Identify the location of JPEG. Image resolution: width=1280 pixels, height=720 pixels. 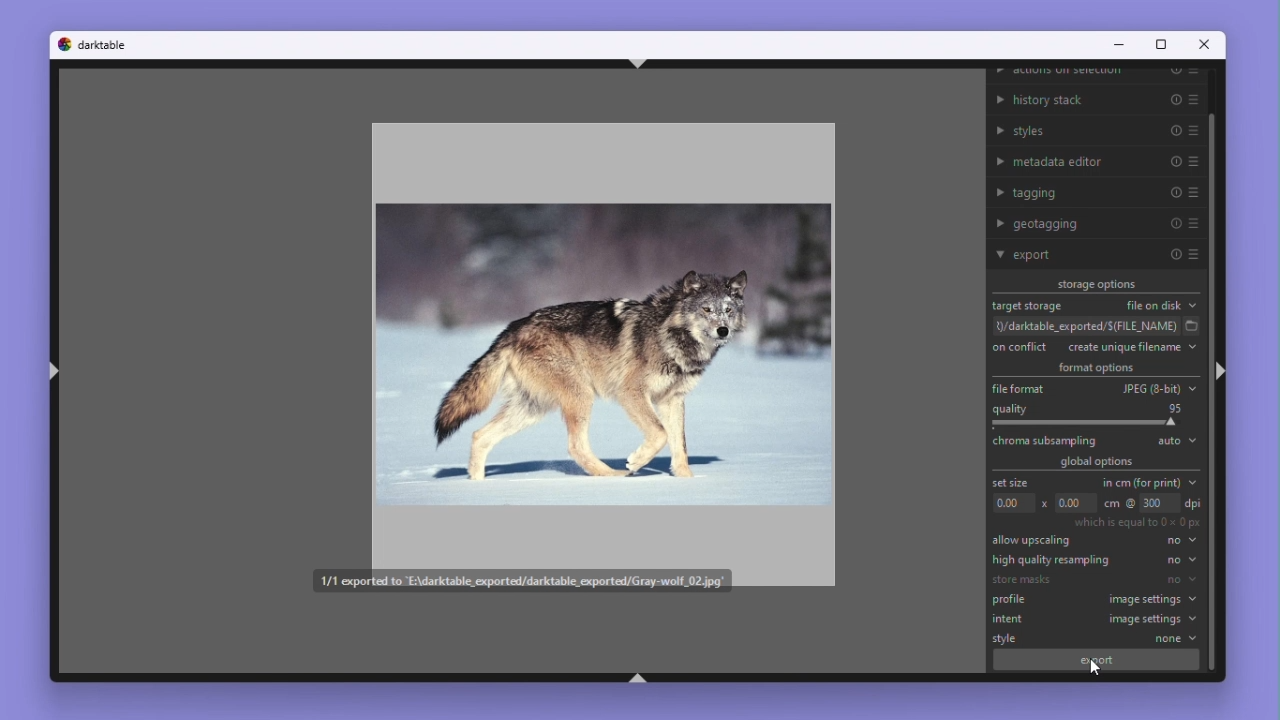
(1156, 389).